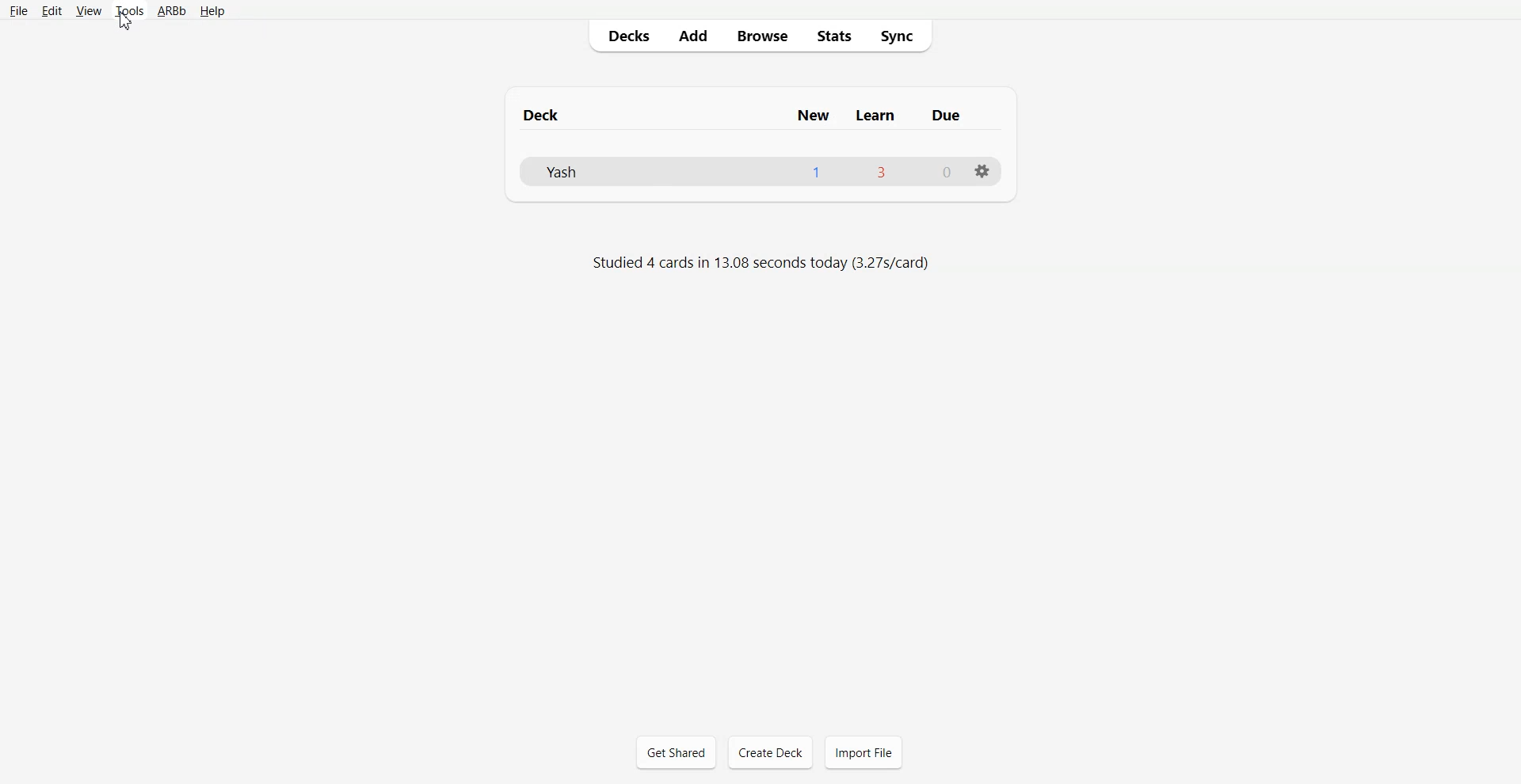 The width and height of the screenshot is (1521, 784). I want to click on Settings, so click(982, 171).